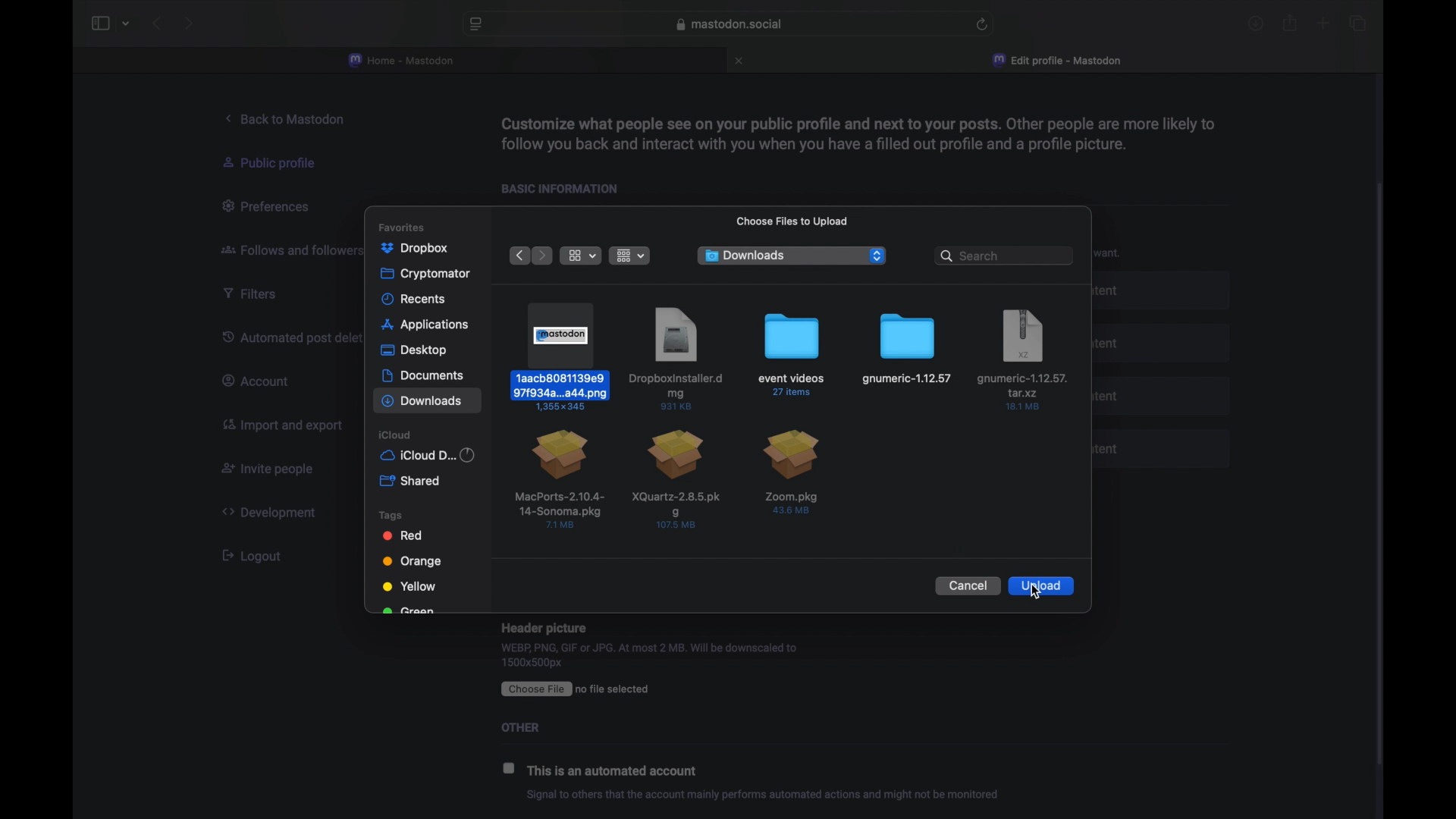 The height and width of the screenshot is (819, 1456). I want to click on <> Development, so click(275, 512).